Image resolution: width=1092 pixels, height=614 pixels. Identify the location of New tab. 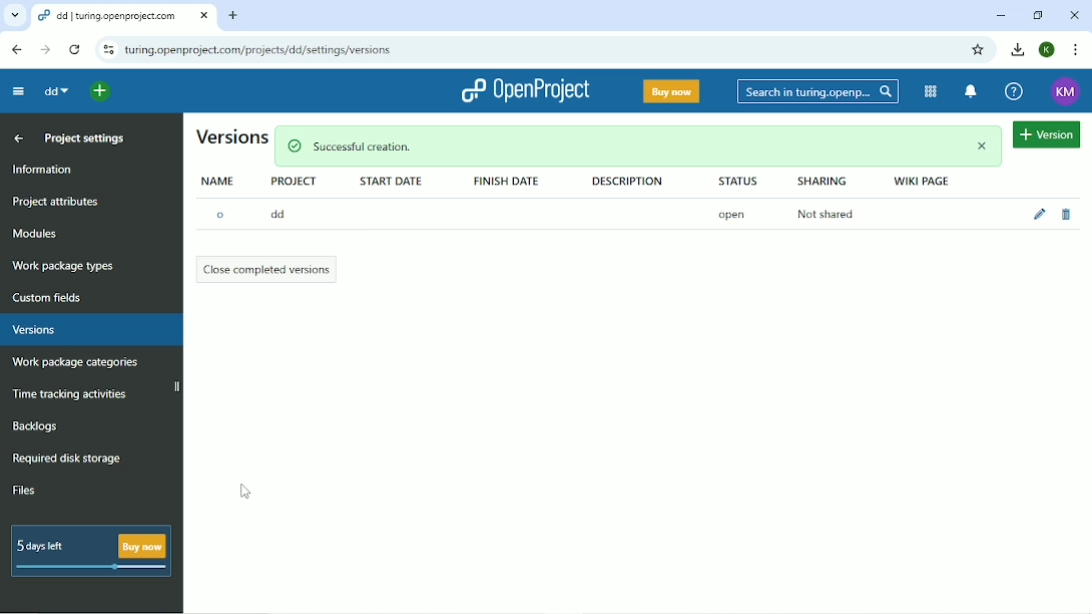
(235, 16).